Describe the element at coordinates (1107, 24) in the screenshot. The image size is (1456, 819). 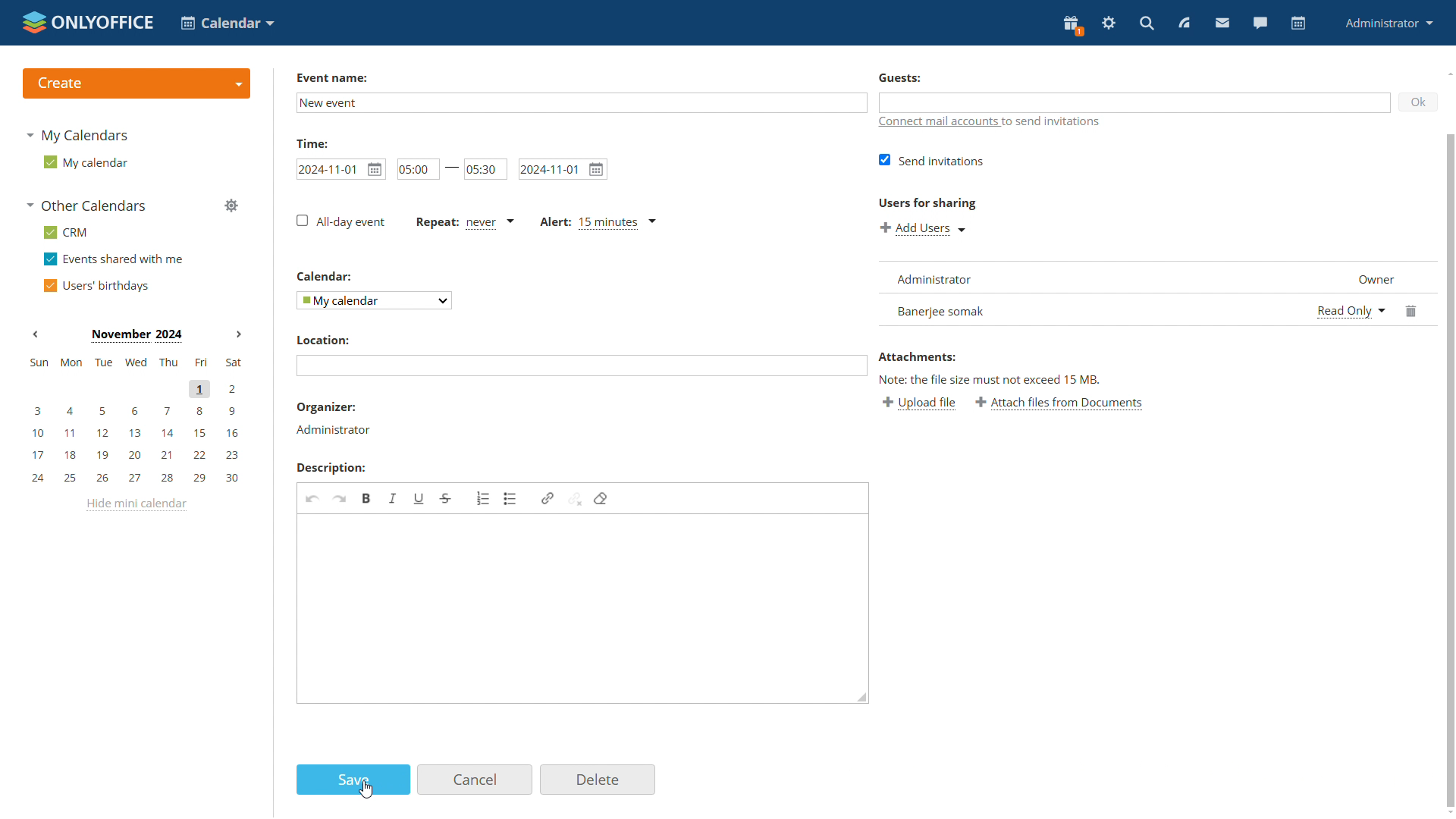
I see `settings` at that location.